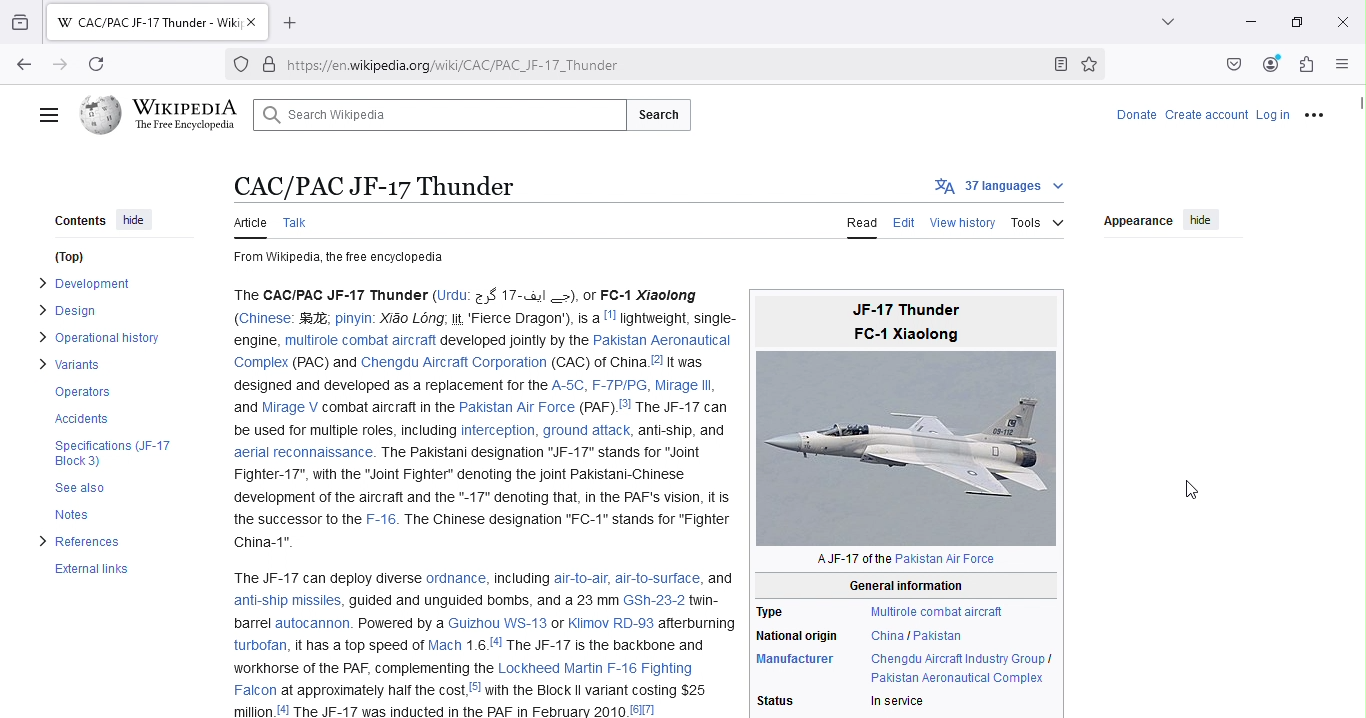 Image resolution: width=1366 pixels, height=718 pixels. I want to click on Save to pocket, so click(1232, 64).